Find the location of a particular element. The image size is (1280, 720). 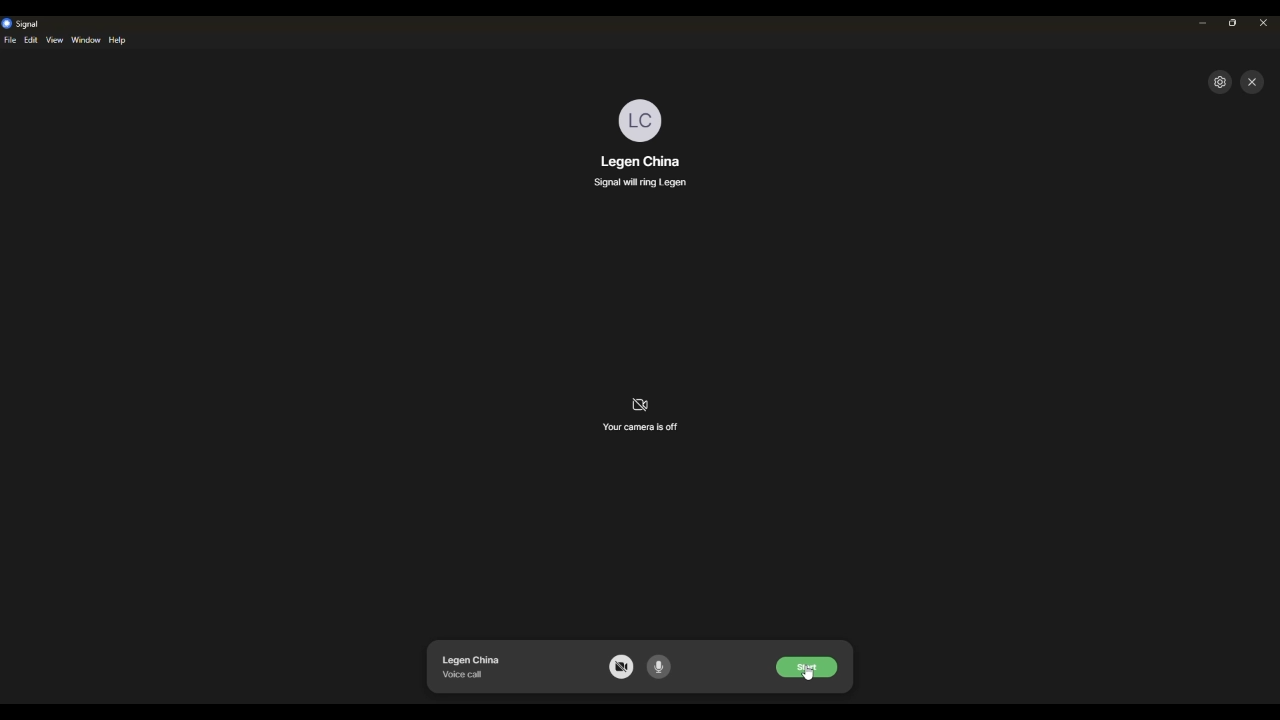

signal will ring is located at coordinates (645, 182).